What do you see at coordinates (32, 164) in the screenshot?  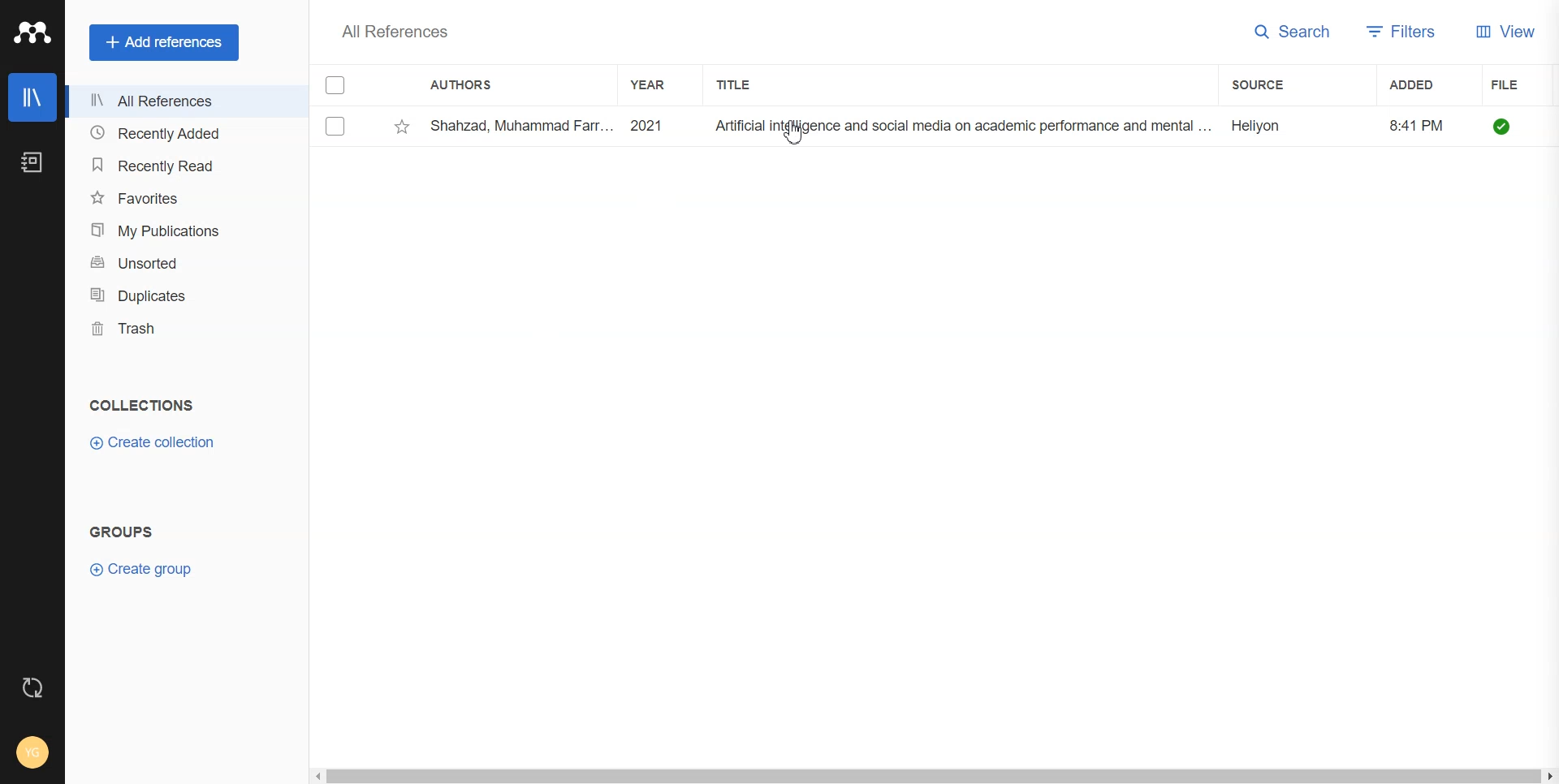 I see `Notebook` at bounding box center [32, 164].